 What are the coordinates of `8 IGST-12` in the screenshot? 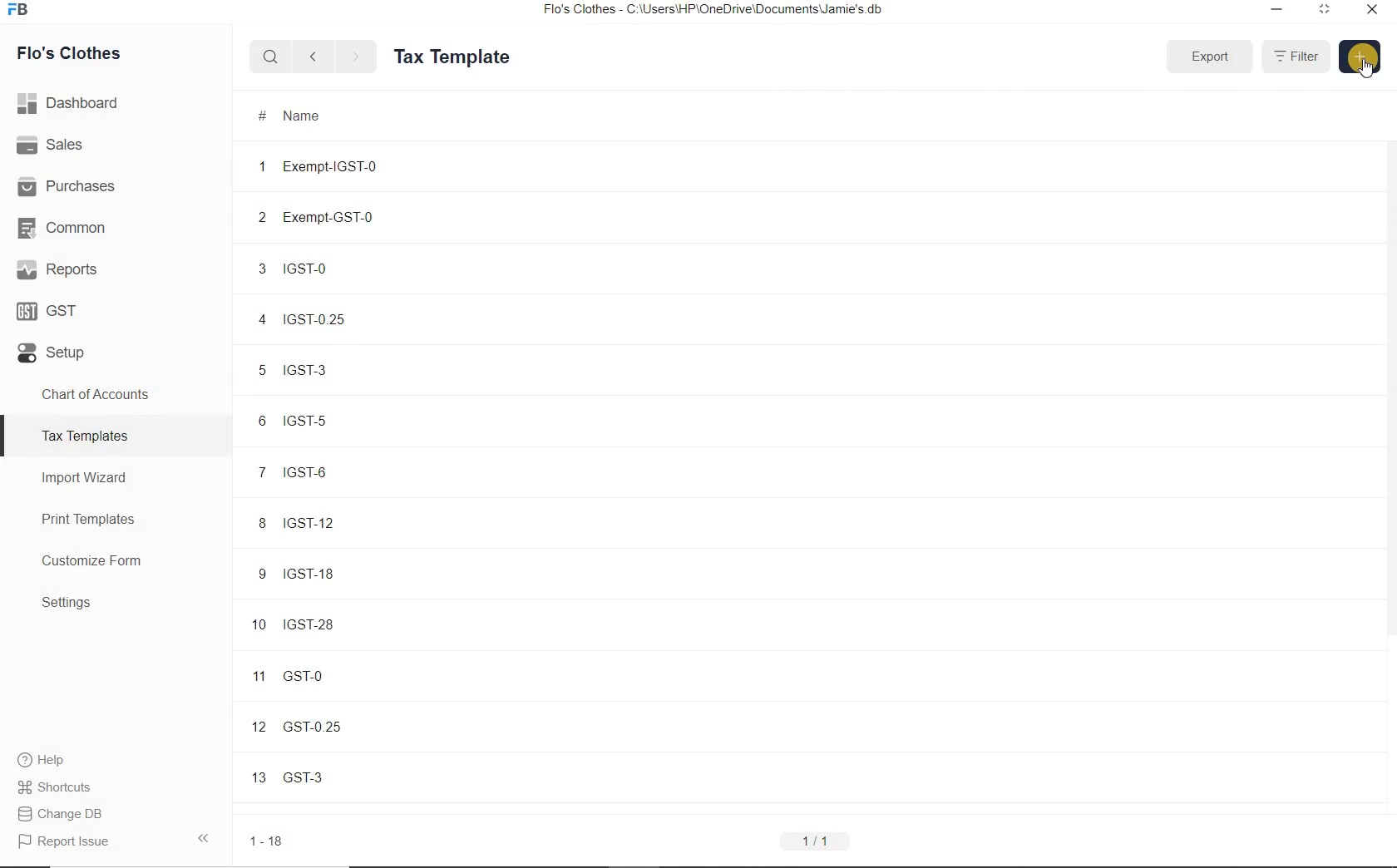 It's located at (347, 522).